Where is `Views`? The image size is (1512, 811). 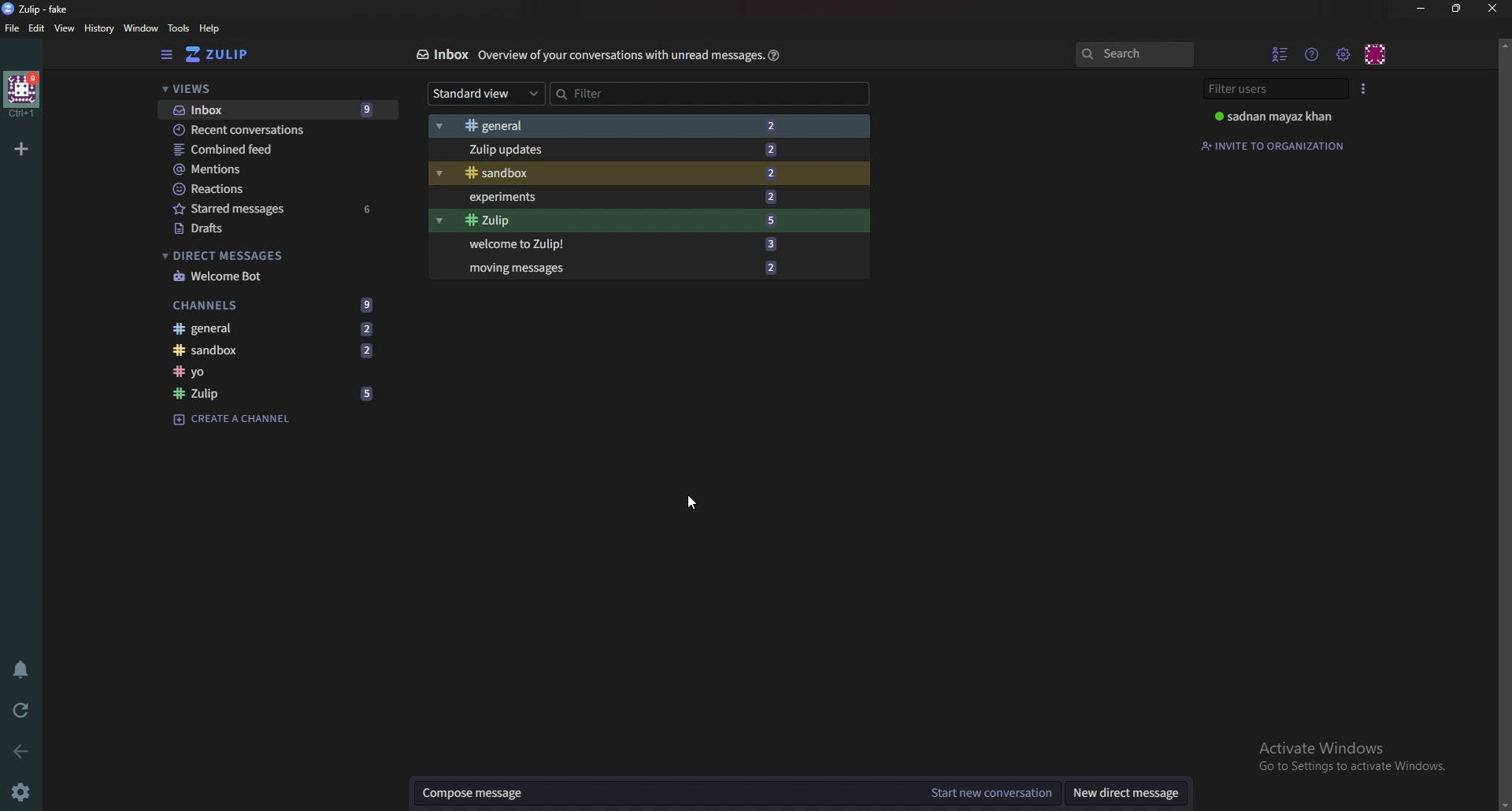
Views is located at coordinates (264, 89).